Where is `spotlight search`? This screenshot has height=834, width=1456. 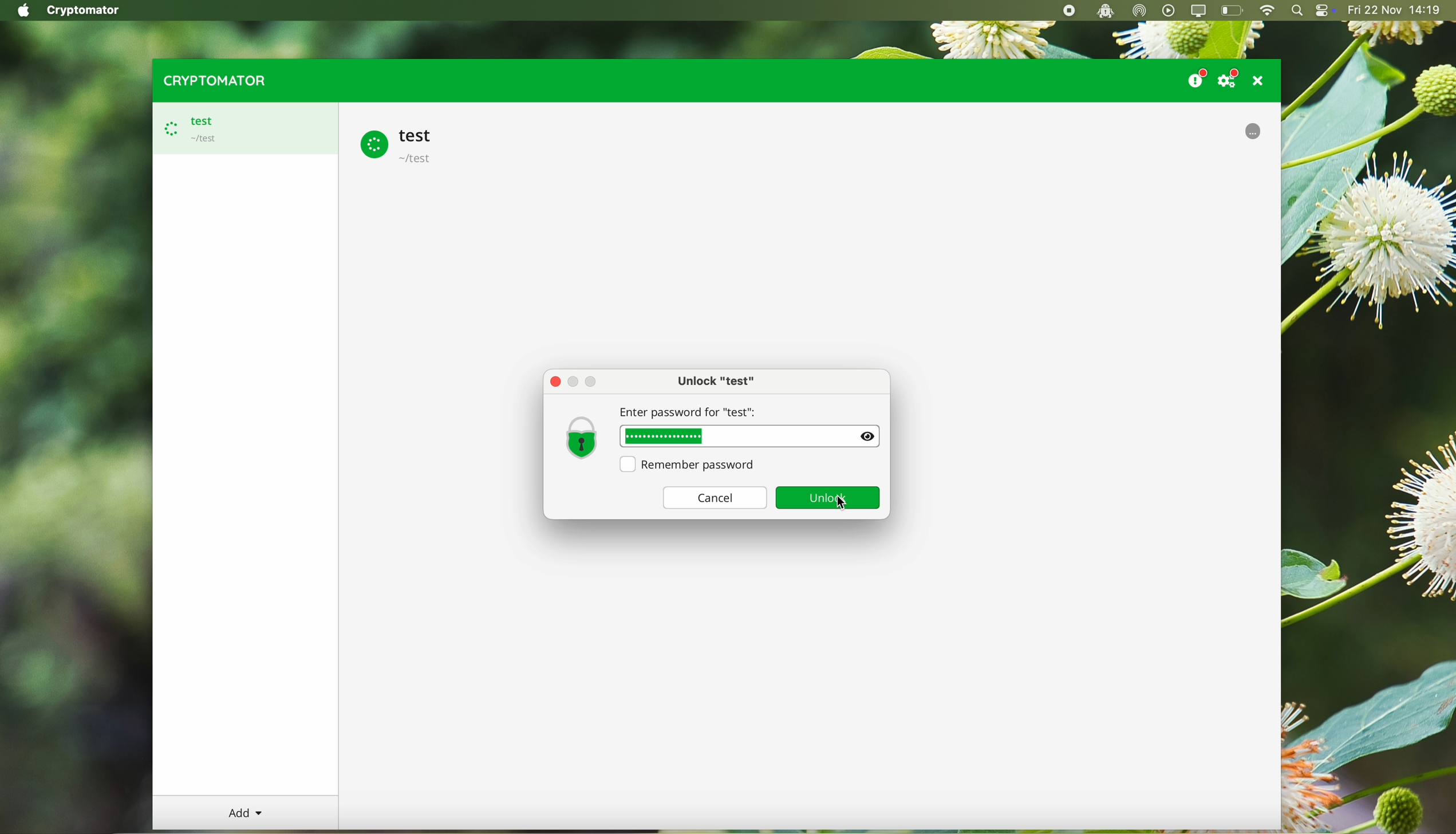
spotlight search is located at coordinates (1297, 11).